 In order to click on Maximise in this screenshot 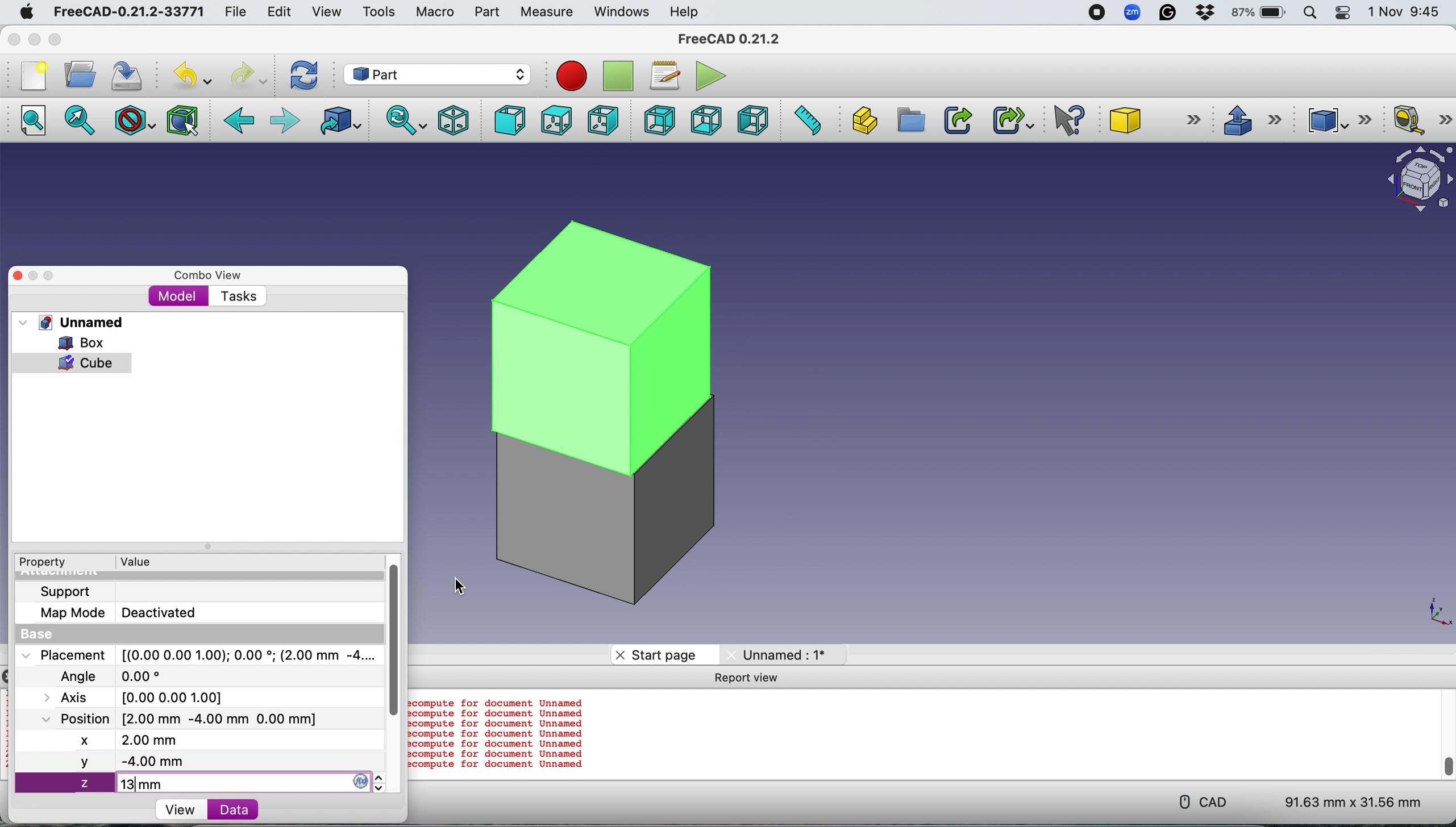, I will do `click(51, 276)`.